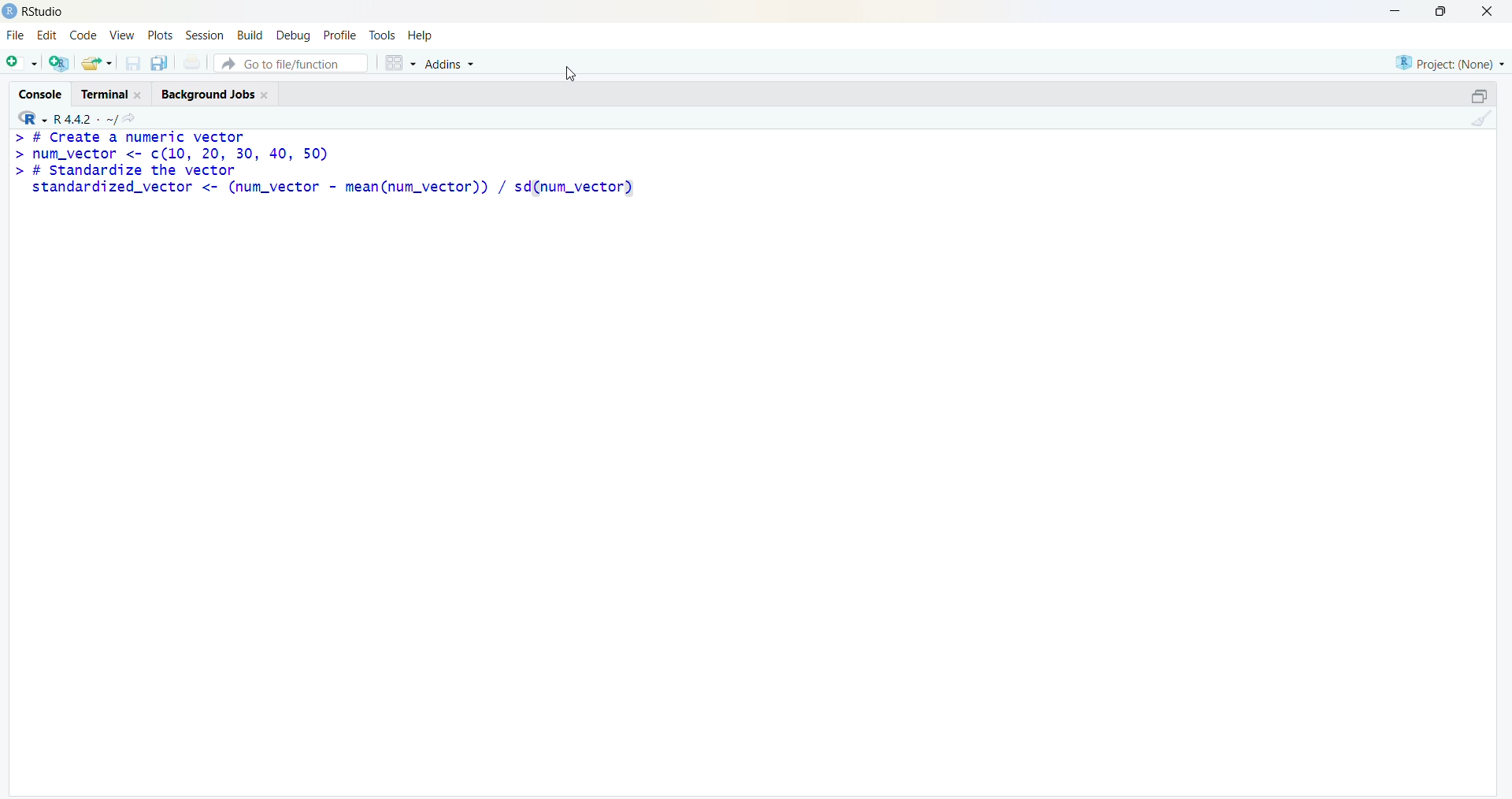  Describe the element at coordinates (324, 165) in the screenshot. I see `> # Create a numeric vector
> num_vector <- c(10, 20, 30, 40, 50)
> # standardize the vector
standardized_vector <- (num_vector - mean(num_vector)) / sd(num_vector)` at that location.